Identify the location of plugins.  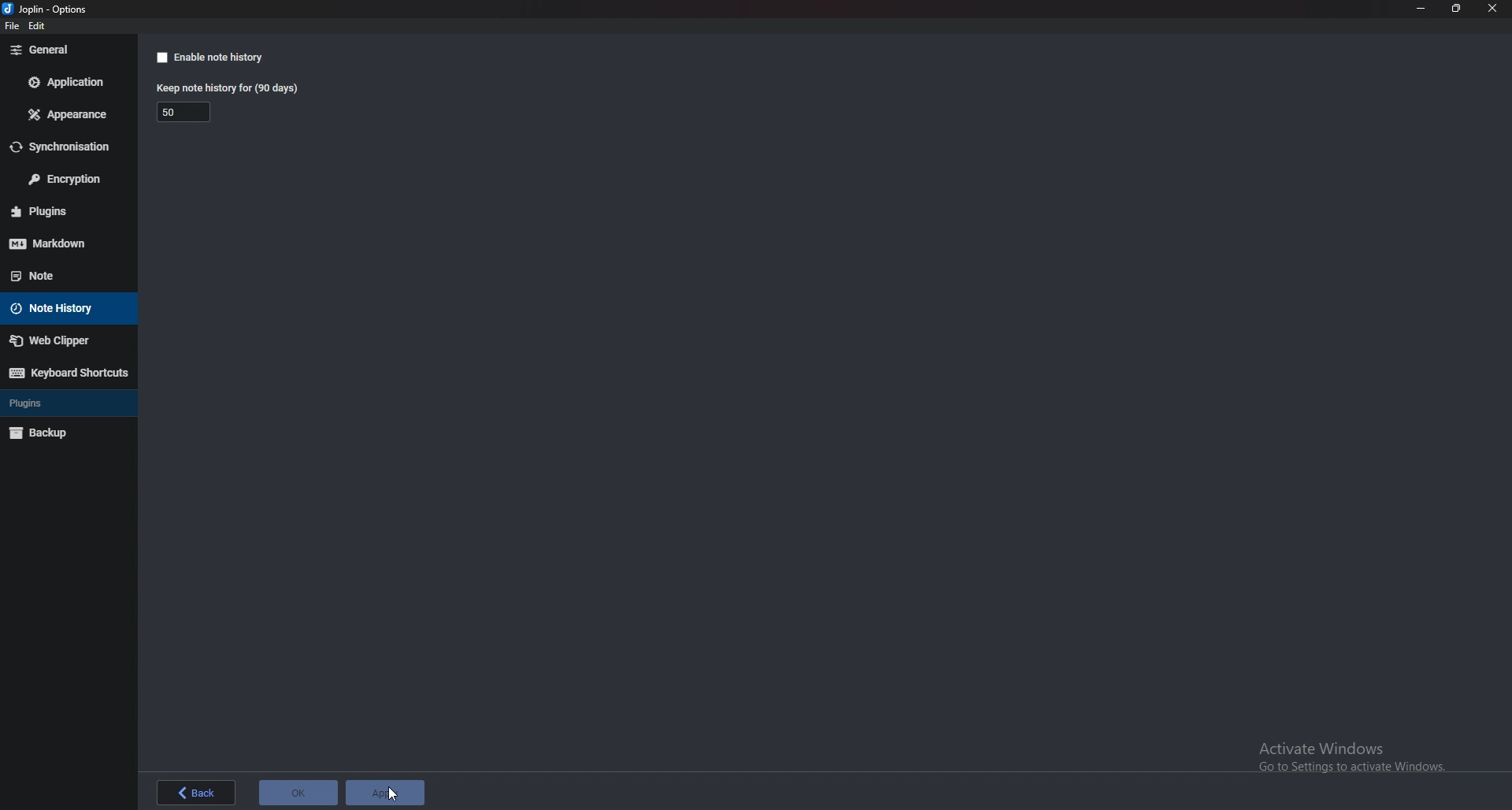
(54, 402).